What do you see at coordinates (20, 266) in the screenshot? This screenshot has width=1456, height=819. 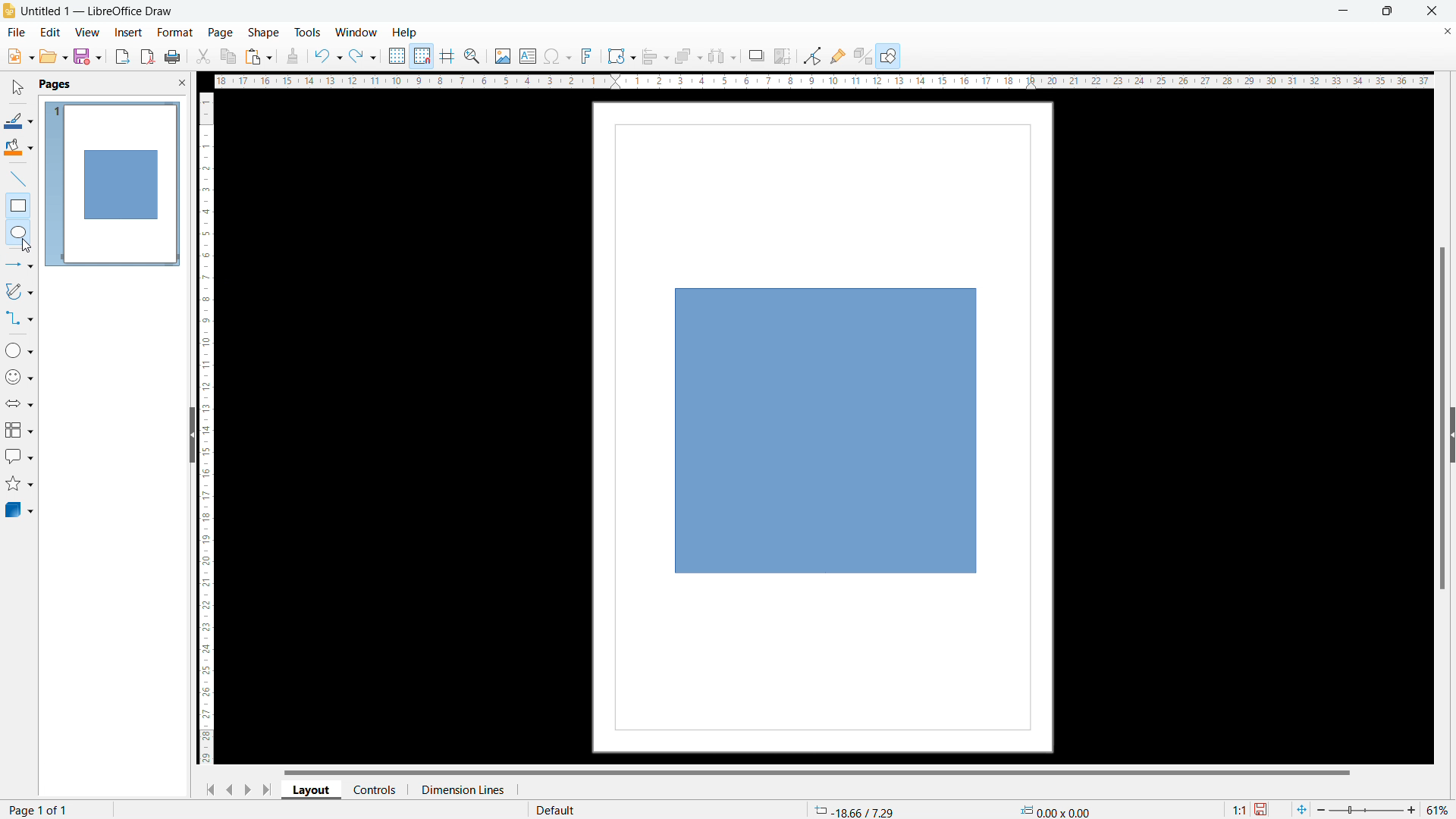 I see `lines and arrows` at bounding box center [20, 266].